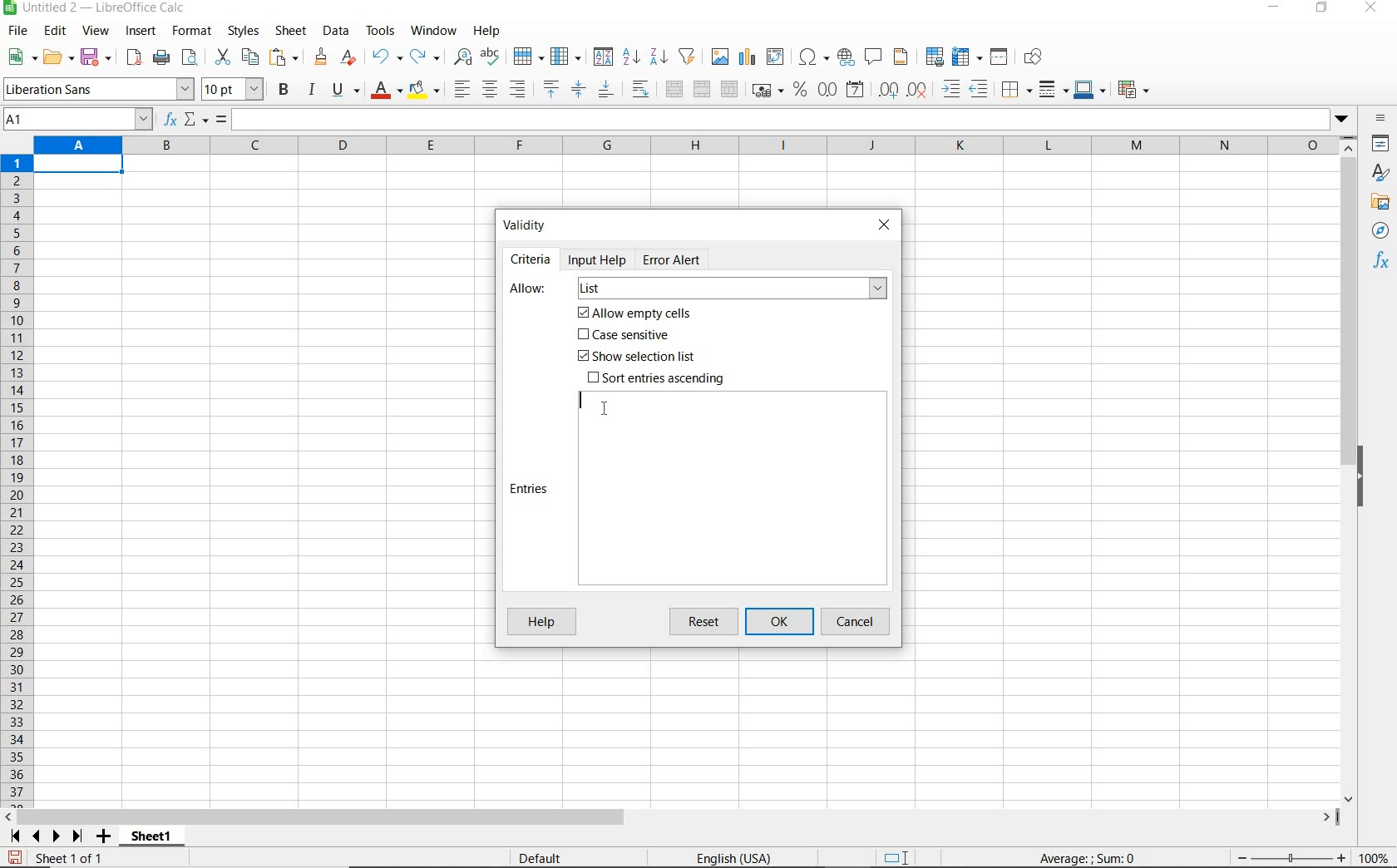  What do you see at coordinates (659, 56) in the screenshot?
I see `sort descending` at bounding box center [659, 56].